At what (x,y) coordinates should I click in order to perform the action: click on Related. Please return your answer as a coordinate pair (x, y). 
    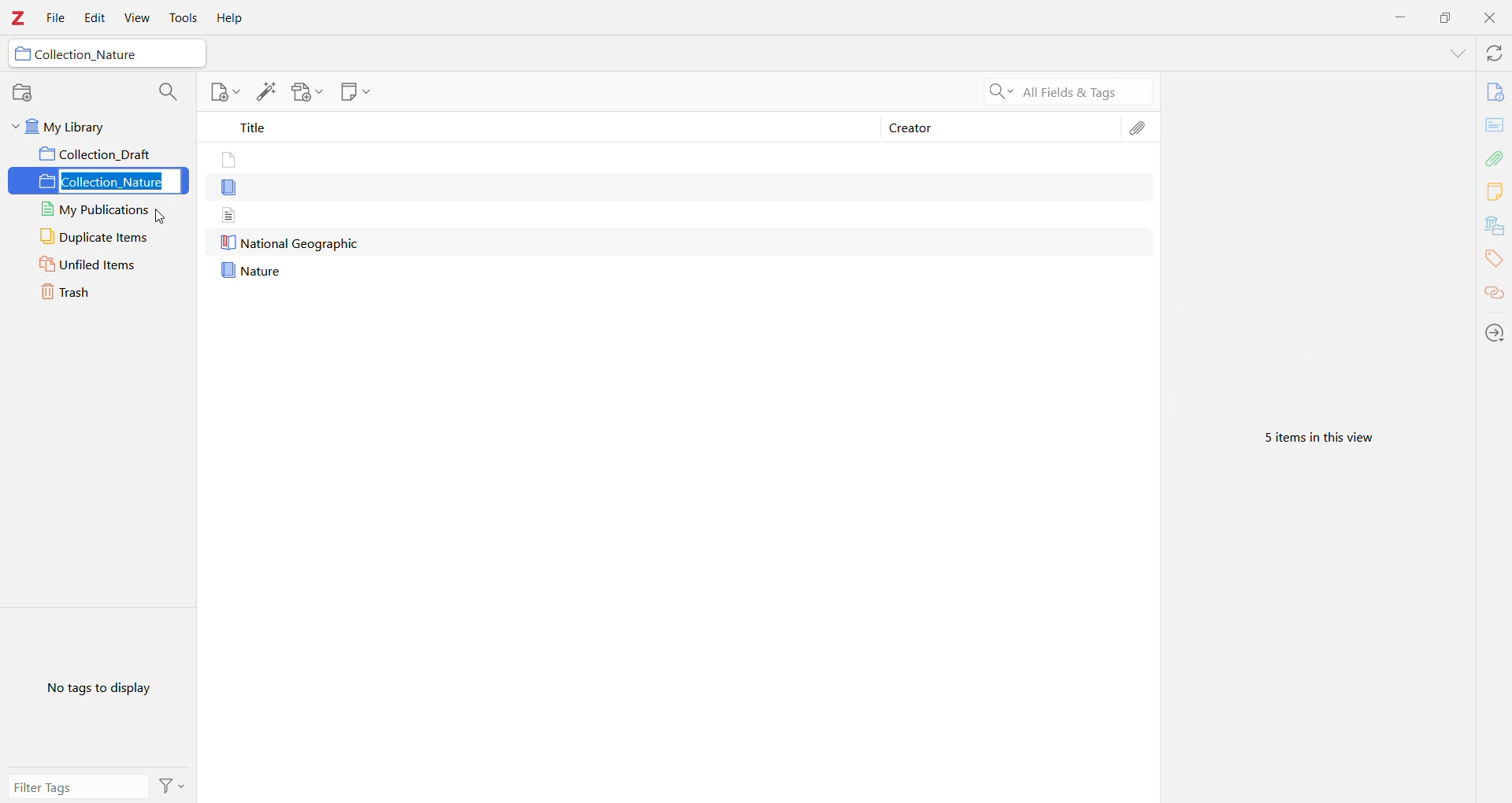
    Looking at the image, I should click on (1495, 292).